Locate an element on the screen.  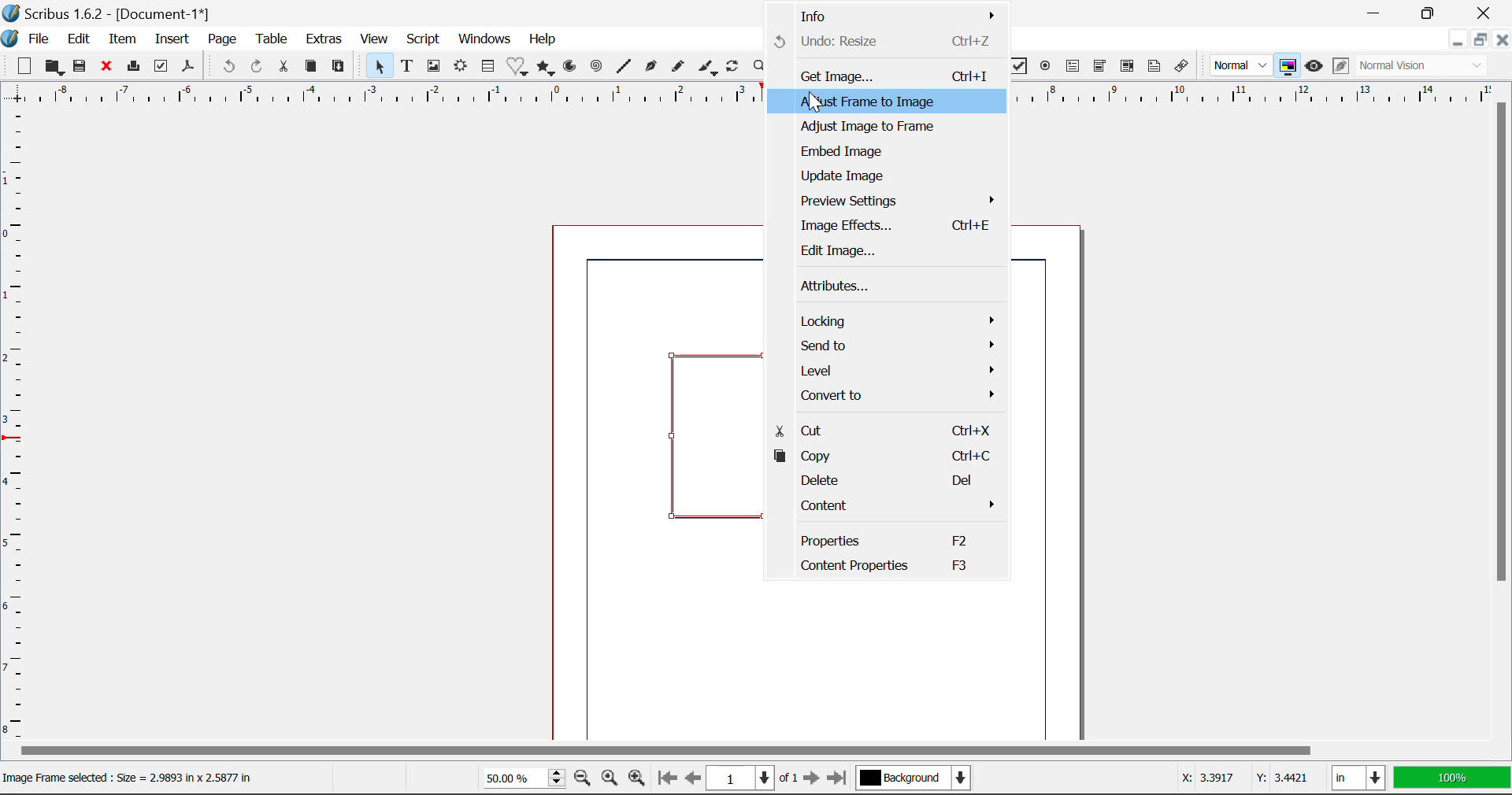
Special Shape is located at coordinates (516, 66).